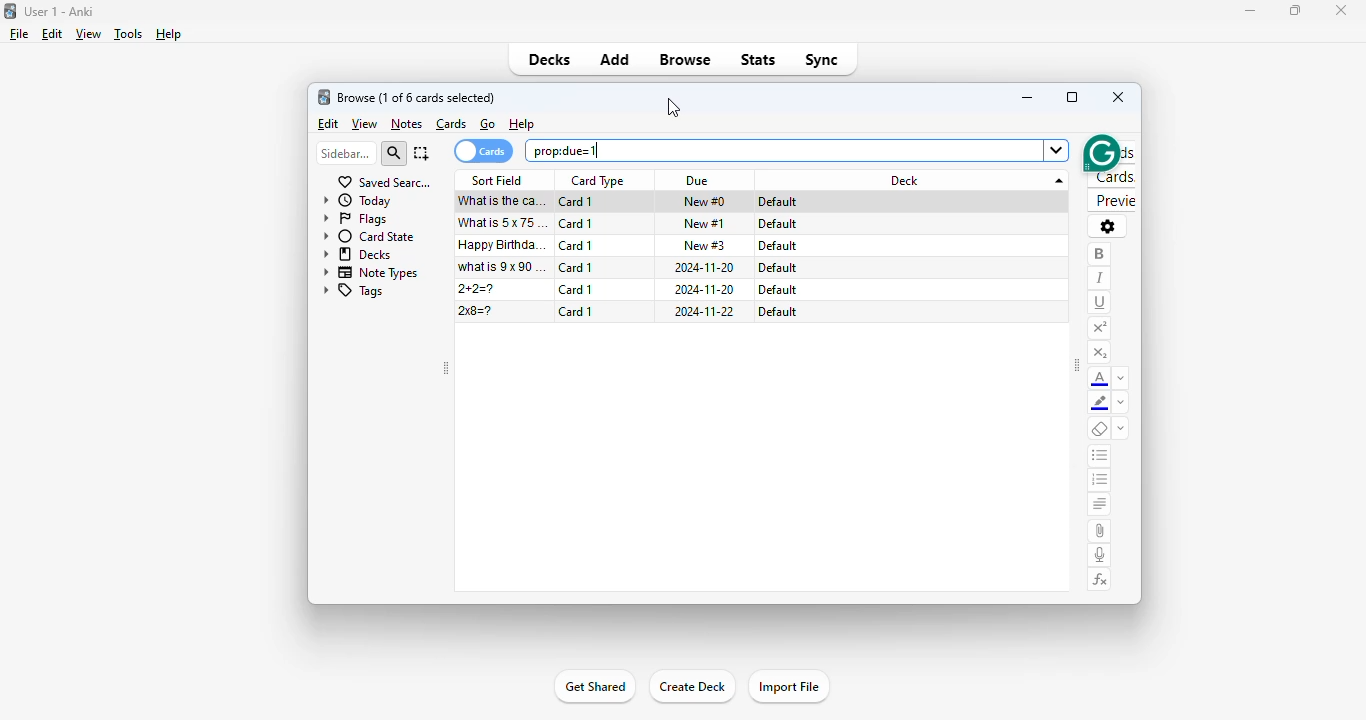 The height and width of the screenshot is (720, 1366). I want to click on tags, so click(352, 292).